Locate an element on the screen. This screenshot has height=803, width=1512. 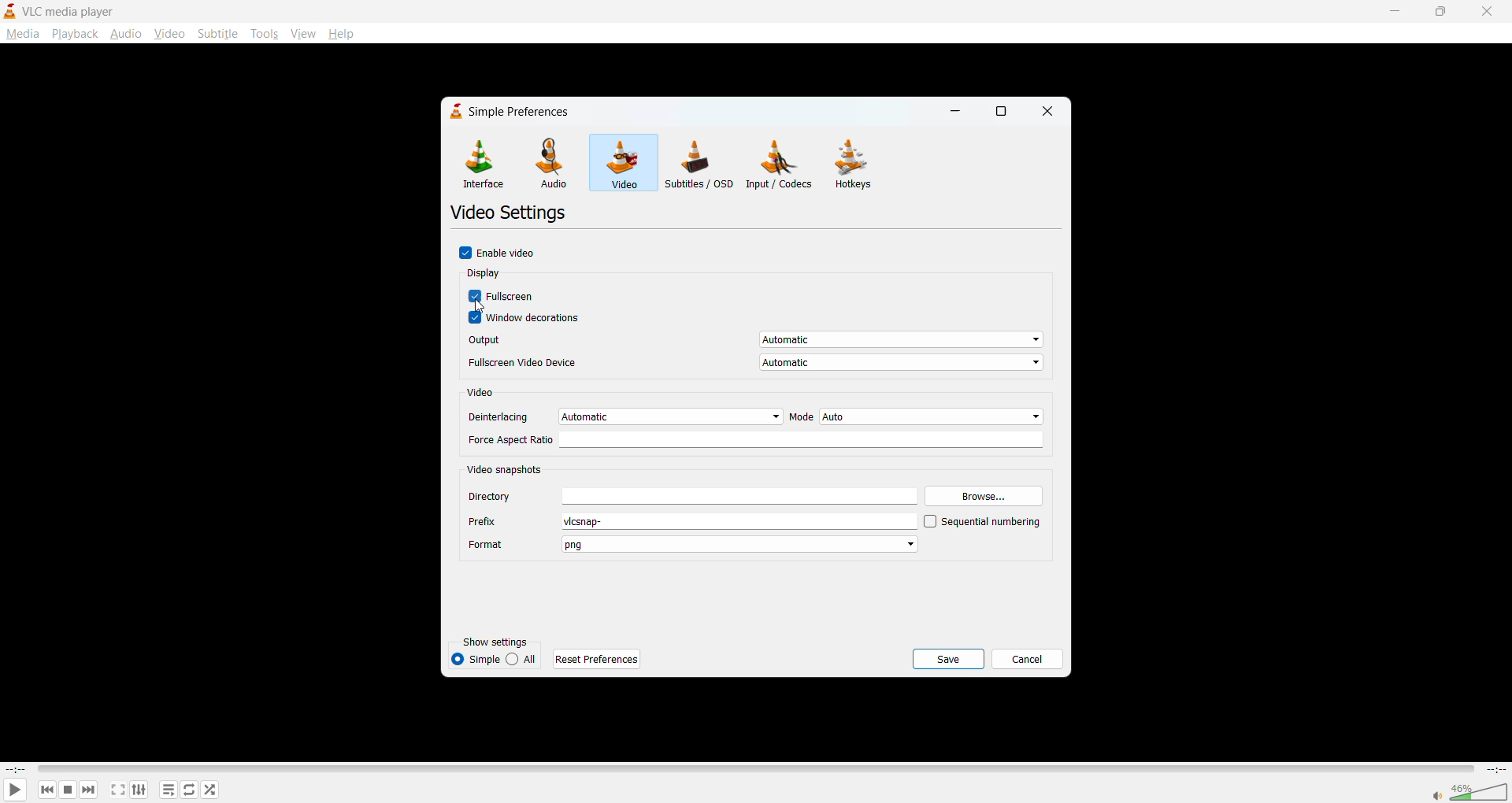
format is located at coordinates (693, 546).